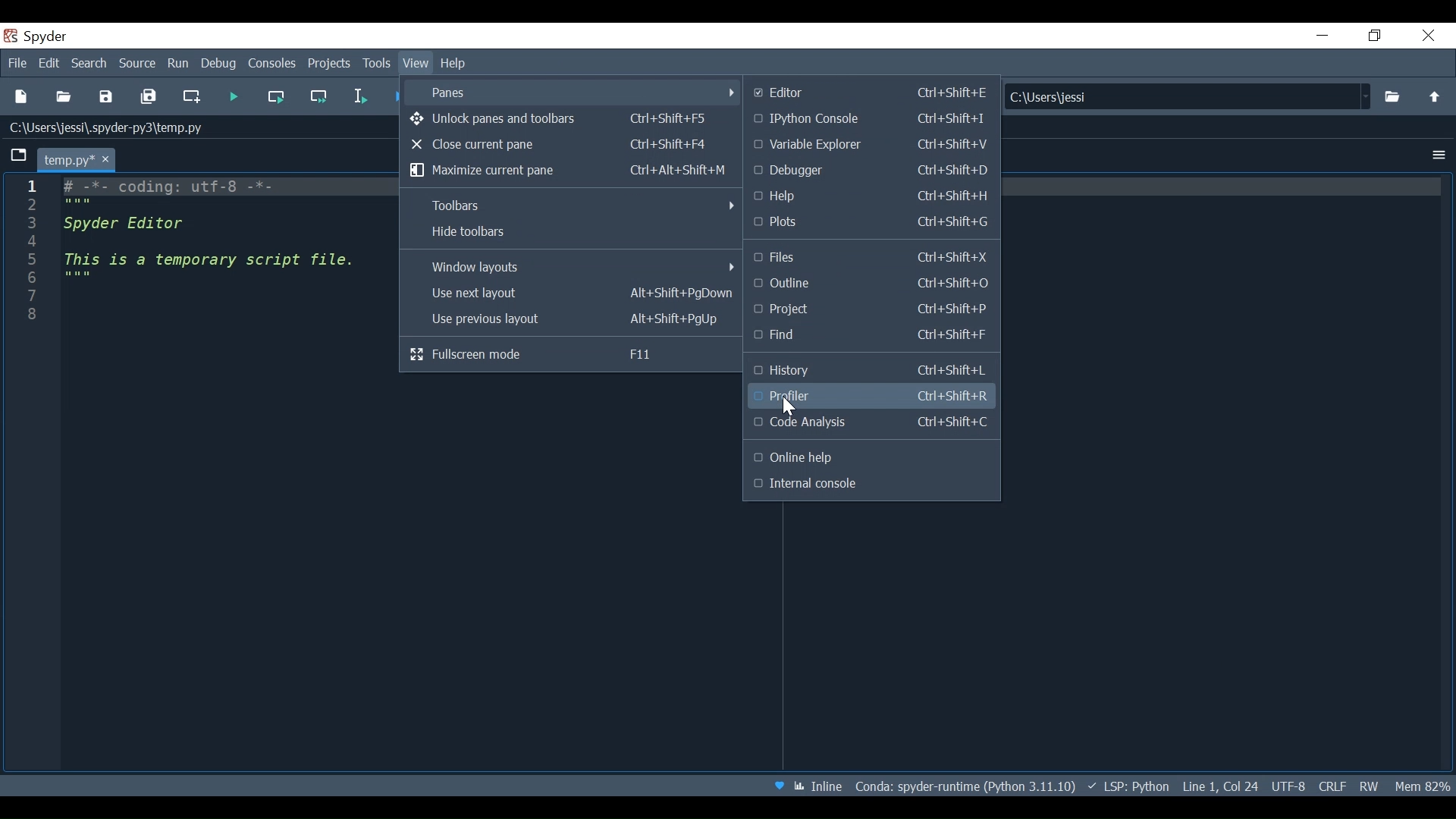 The height and width of the screenshot is (819, 1456). I want to click on Files, so click(872, 257).